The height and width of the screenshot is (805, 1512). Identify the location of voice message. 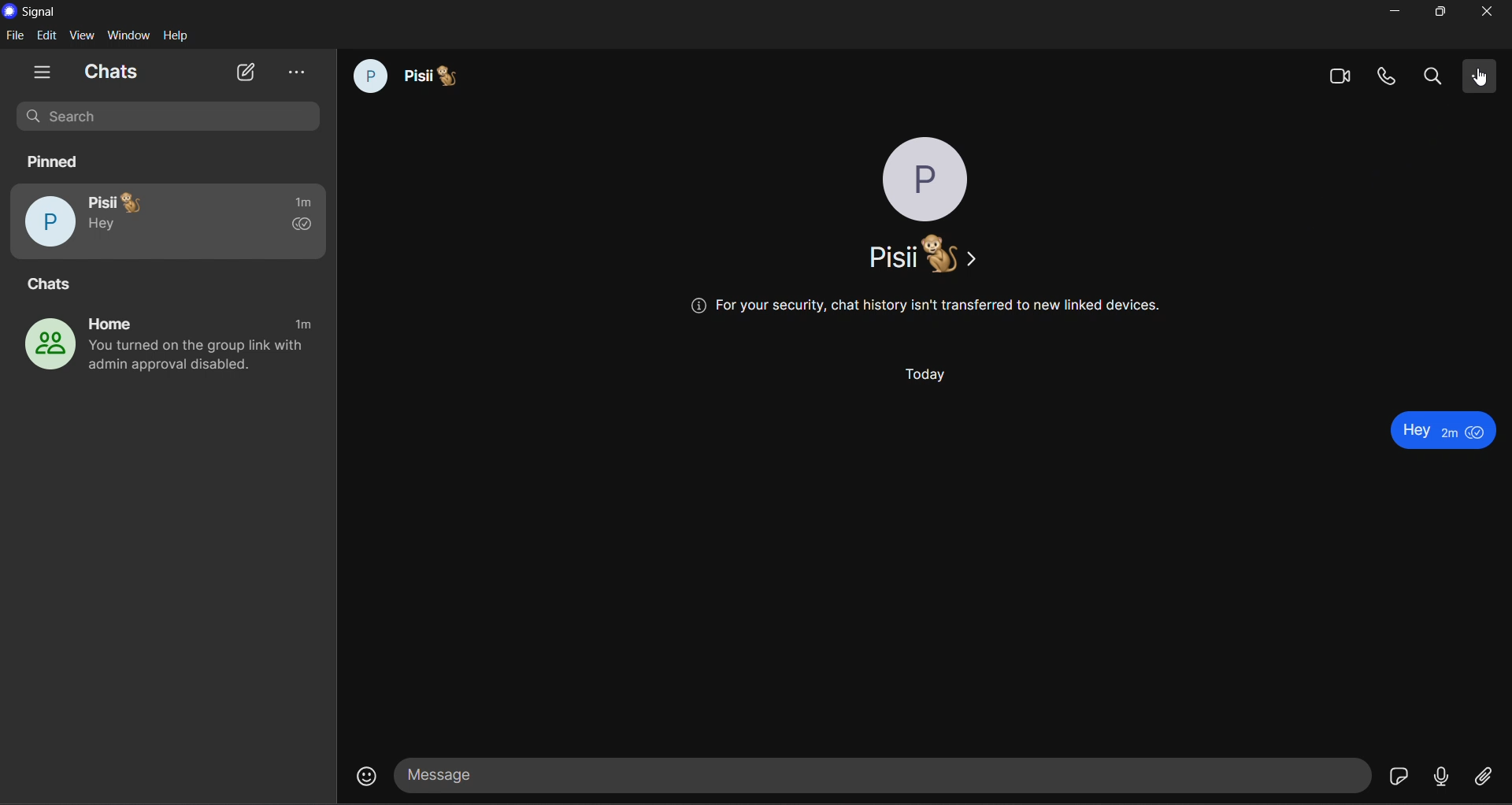
(1444, 773).